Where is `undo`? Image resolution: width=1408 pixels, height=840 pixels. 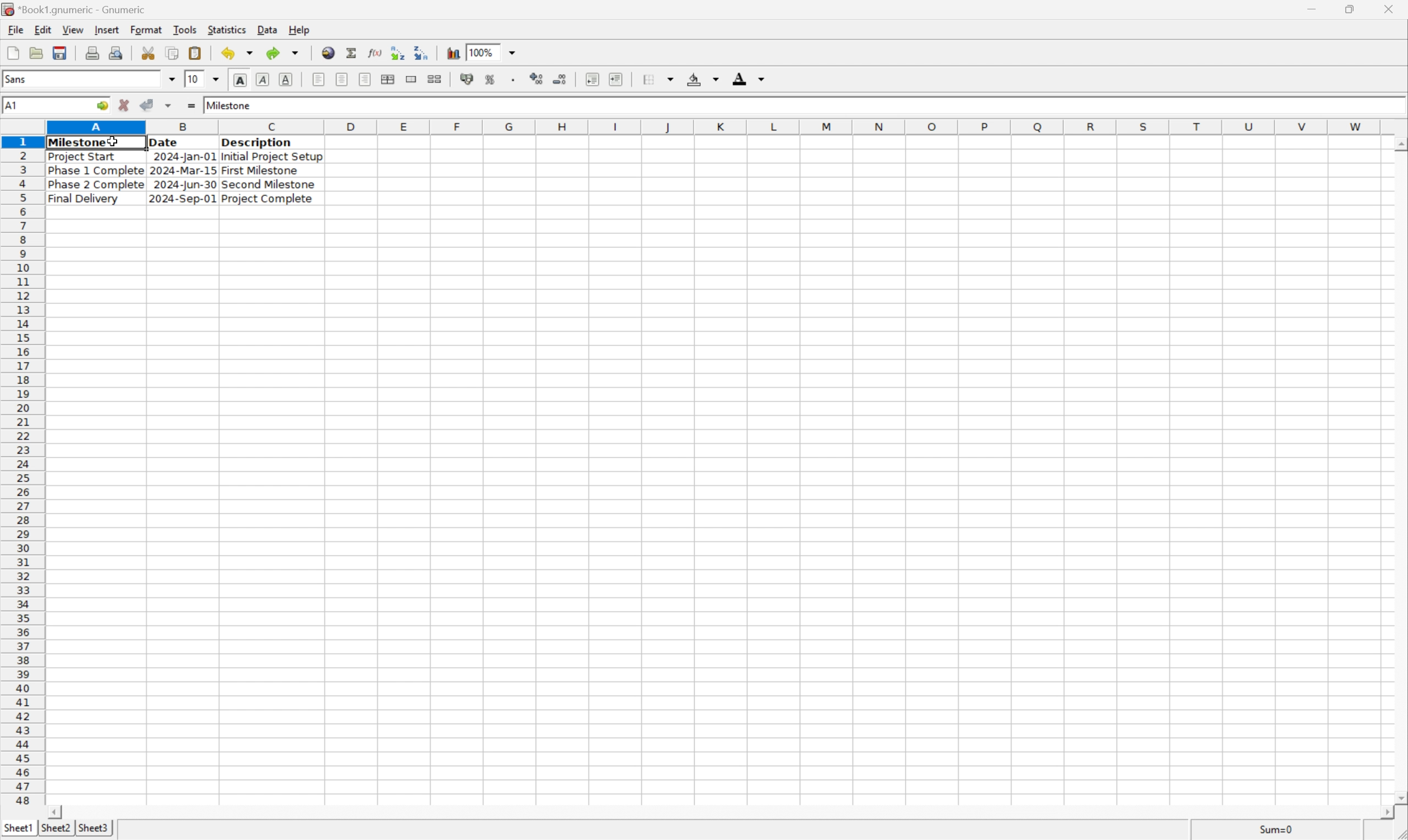
undo is located at coordinates (240, 54).